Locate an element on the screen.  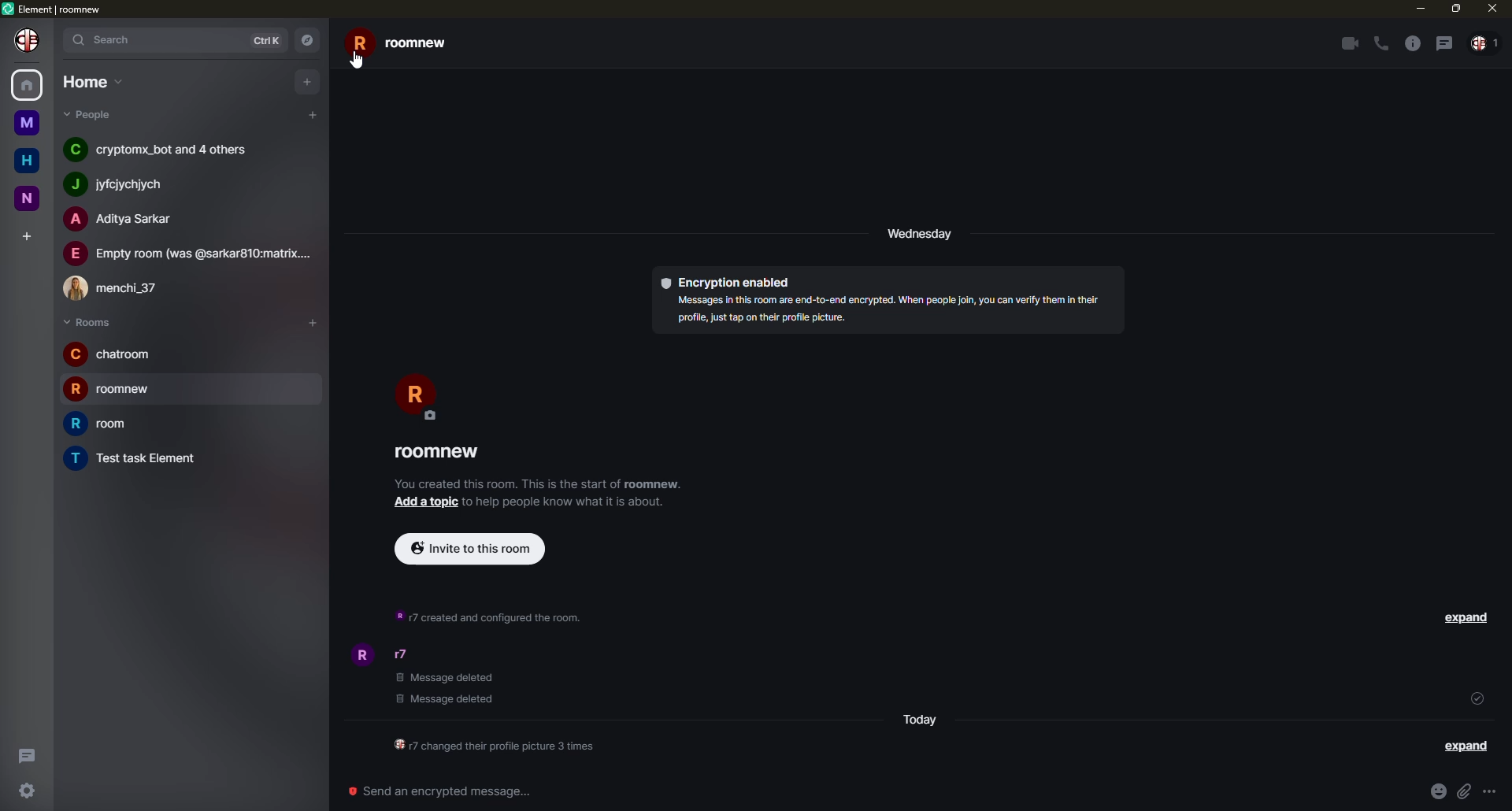
close is located at coordinates (1490, 8).